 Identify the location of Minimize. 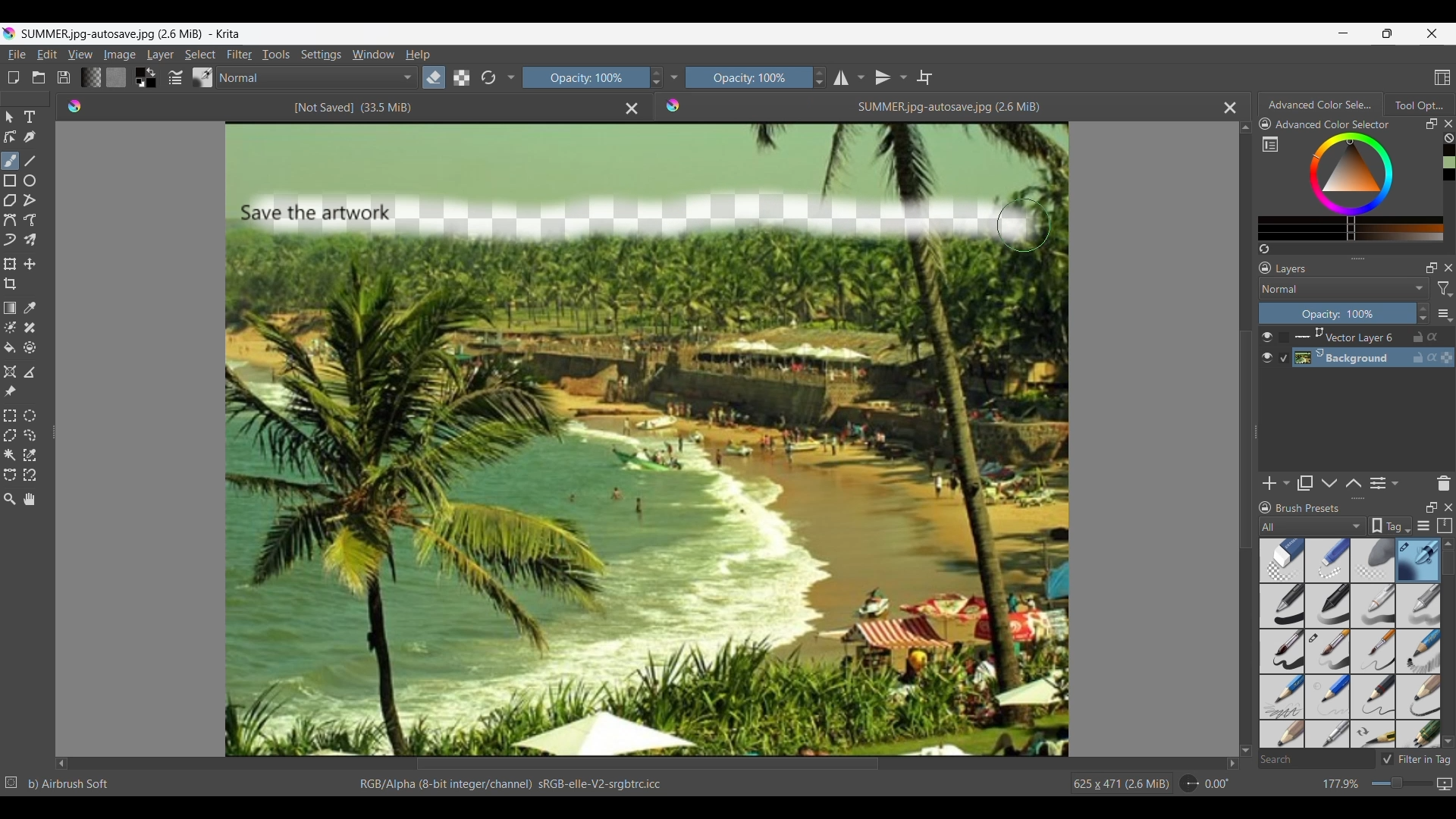
(1344, 33).